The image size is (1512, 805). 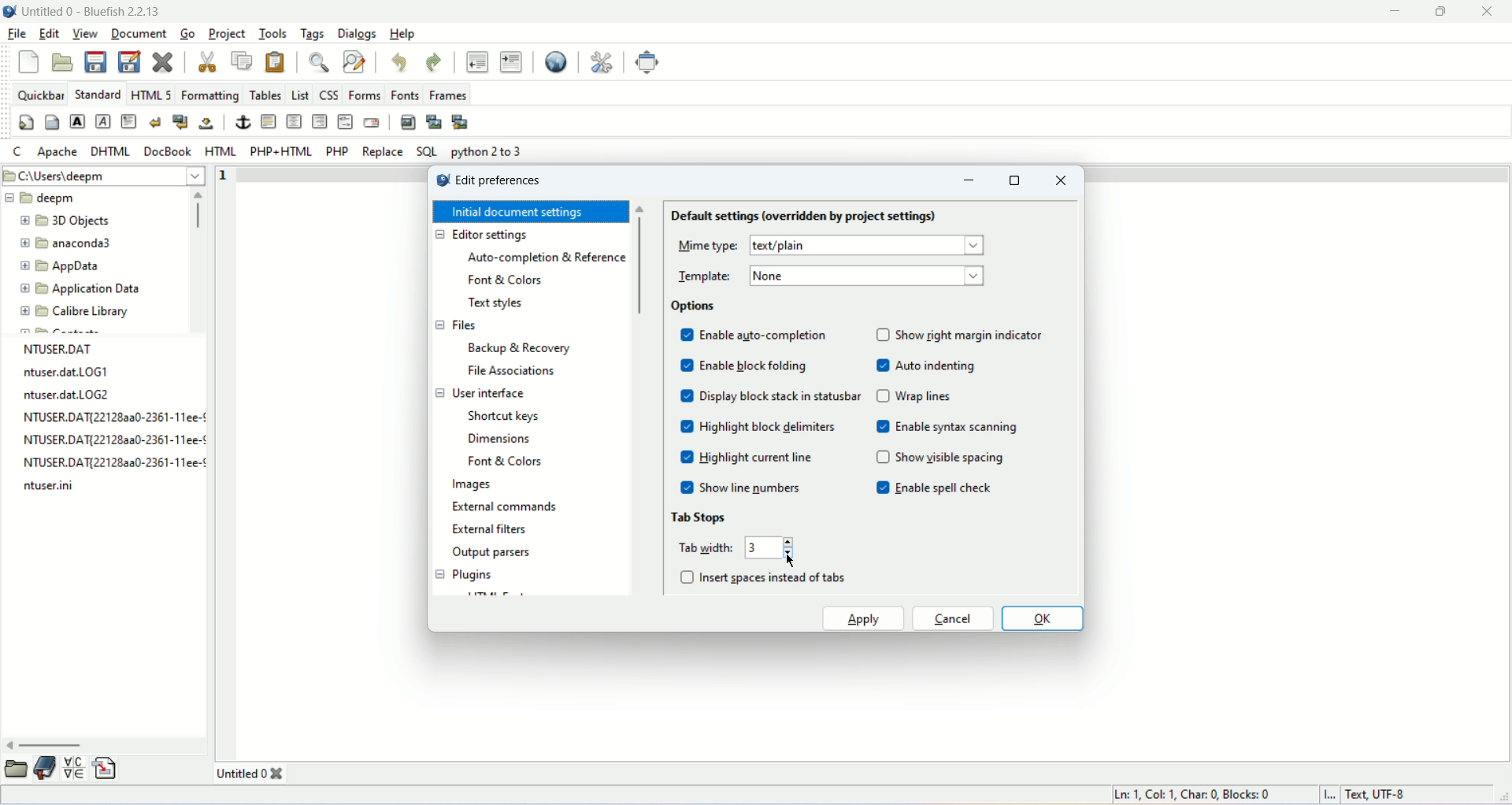 What do you see at coordinates (958, 428) in the screenshot?
I see `enable syntax screening` at bounding box center [958, 428].